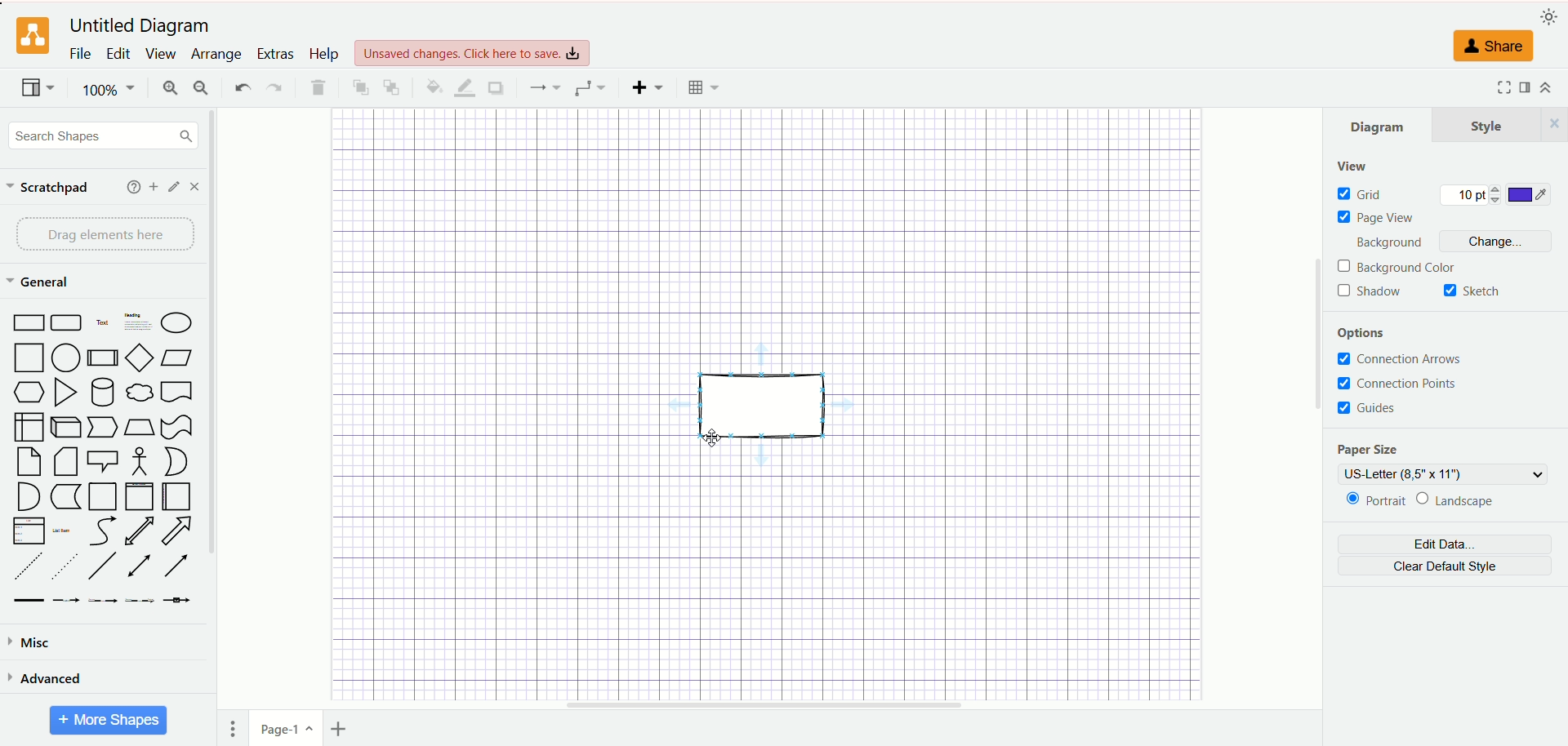  I want to click on insert page, so click(346, 728).